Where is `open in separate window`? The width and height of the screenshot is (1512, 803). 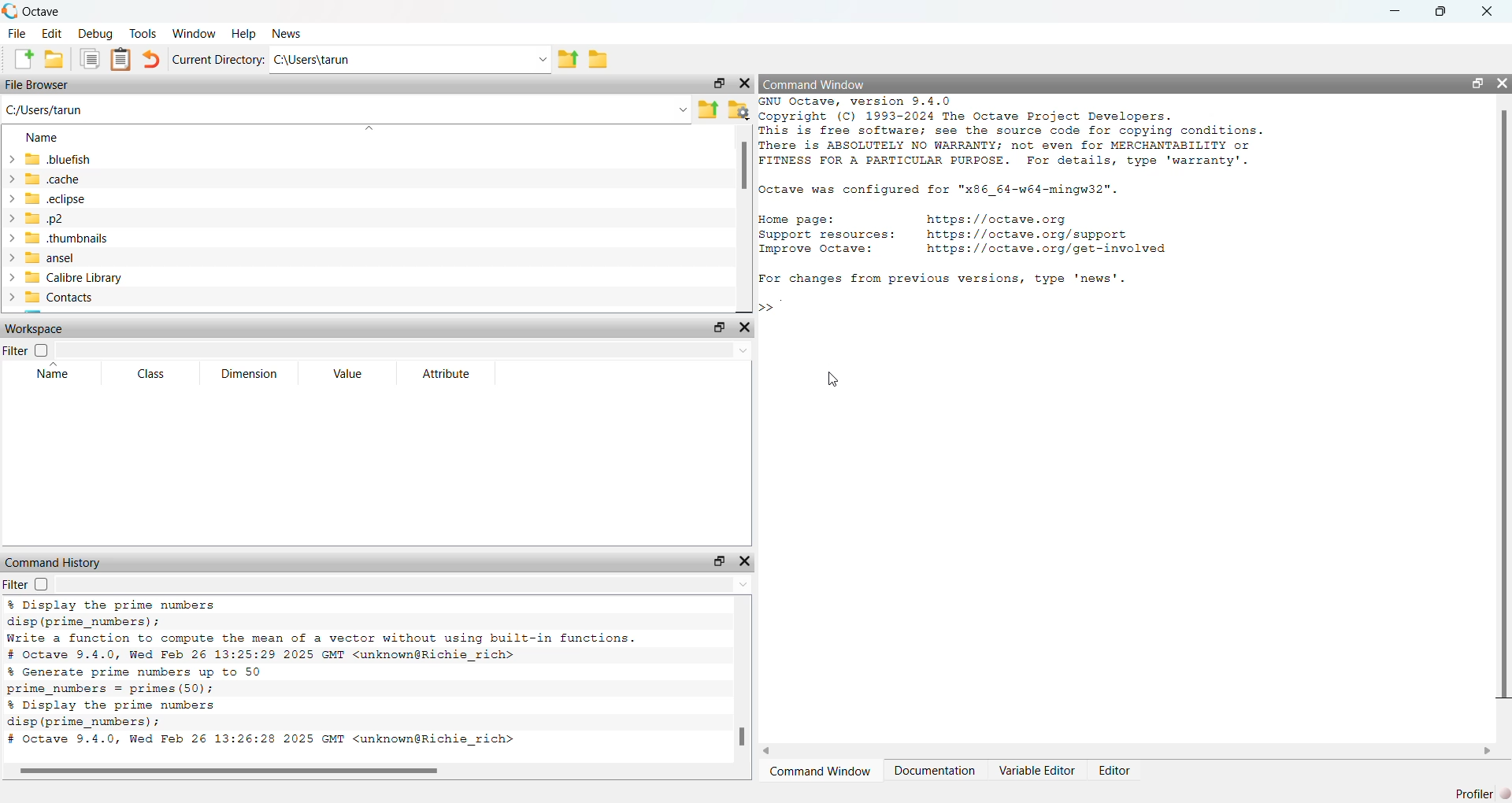
open in separate window is located at coordinates (720, 561).